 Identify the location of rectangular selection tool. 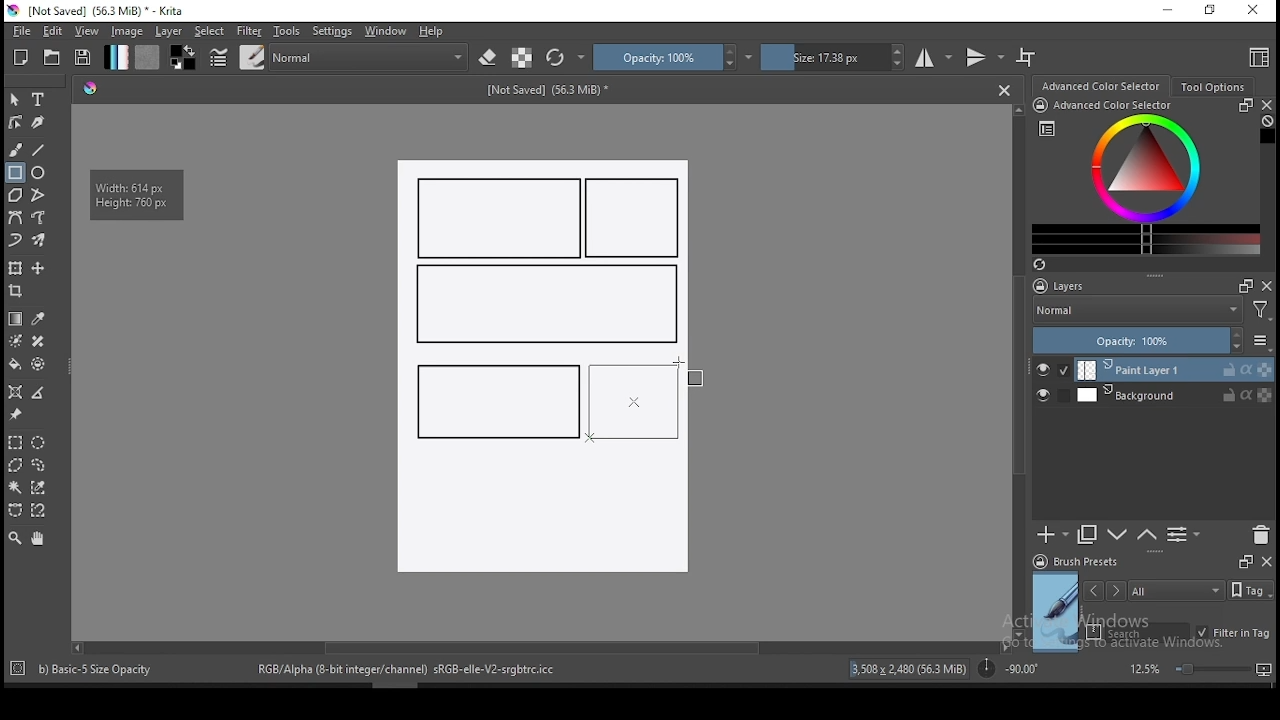
(14, 442).